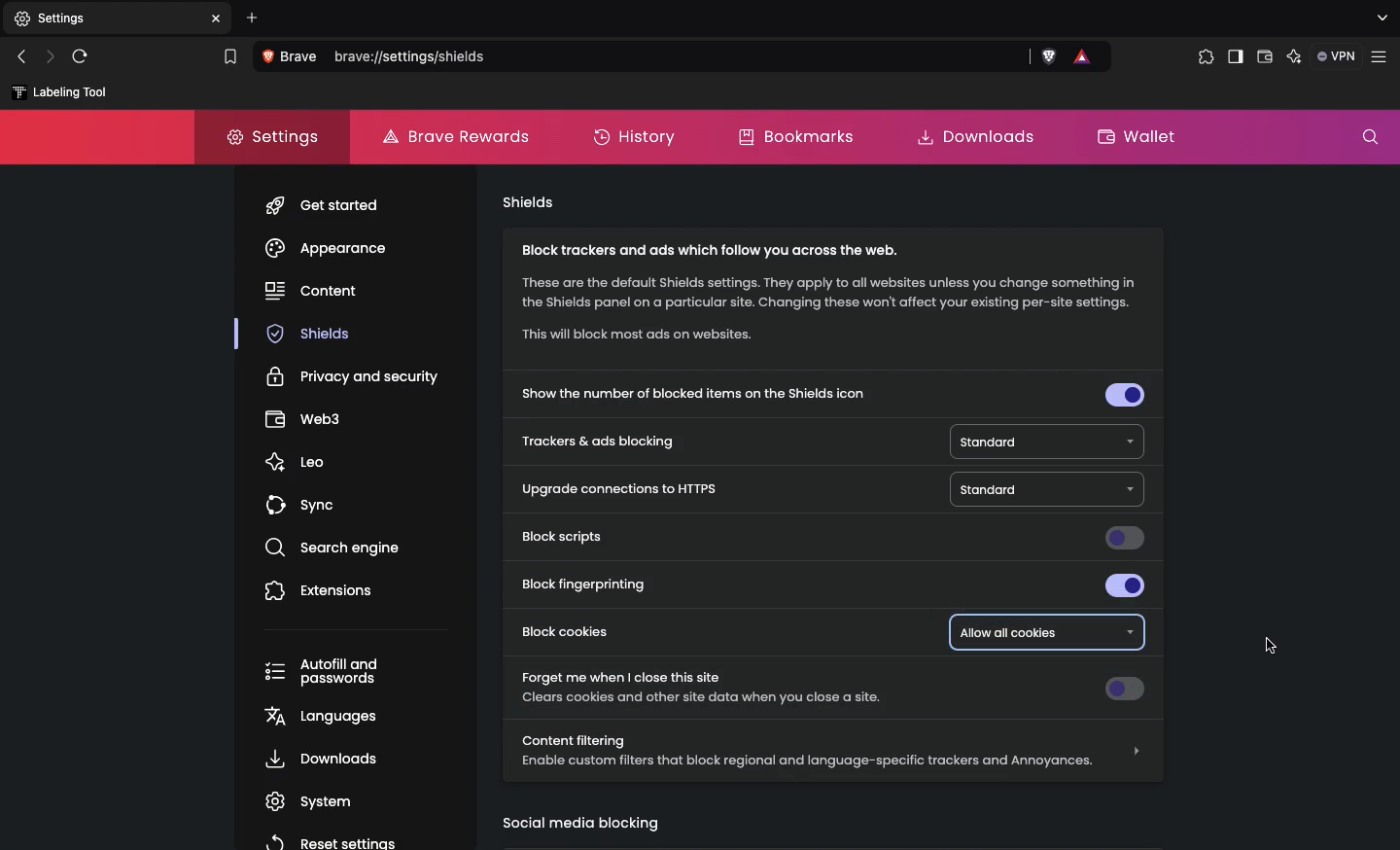  I want to click on brave rewards, so click(1079, 55).